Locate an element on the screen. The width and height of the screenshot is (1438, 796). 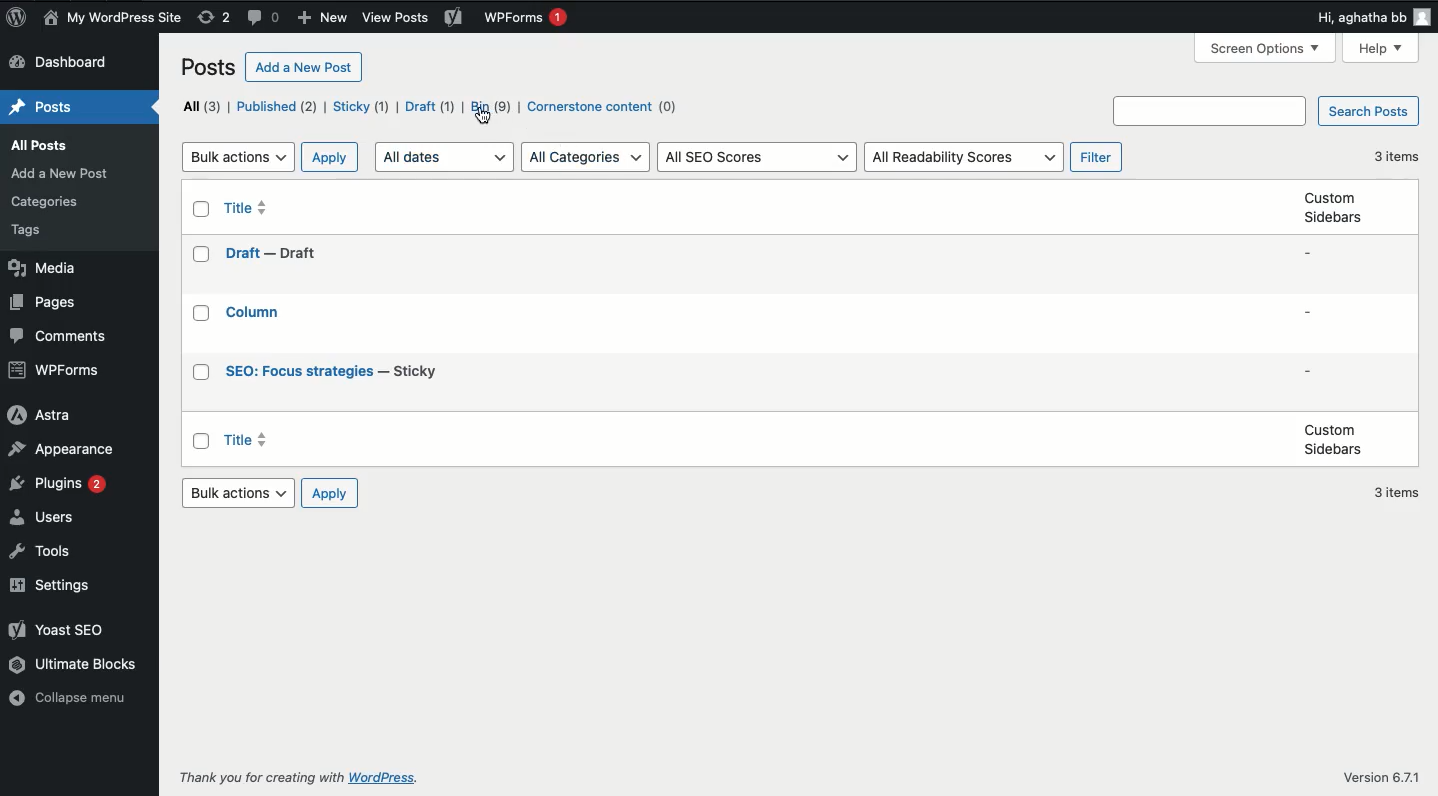
Search is located at coordinates (1209, 110).